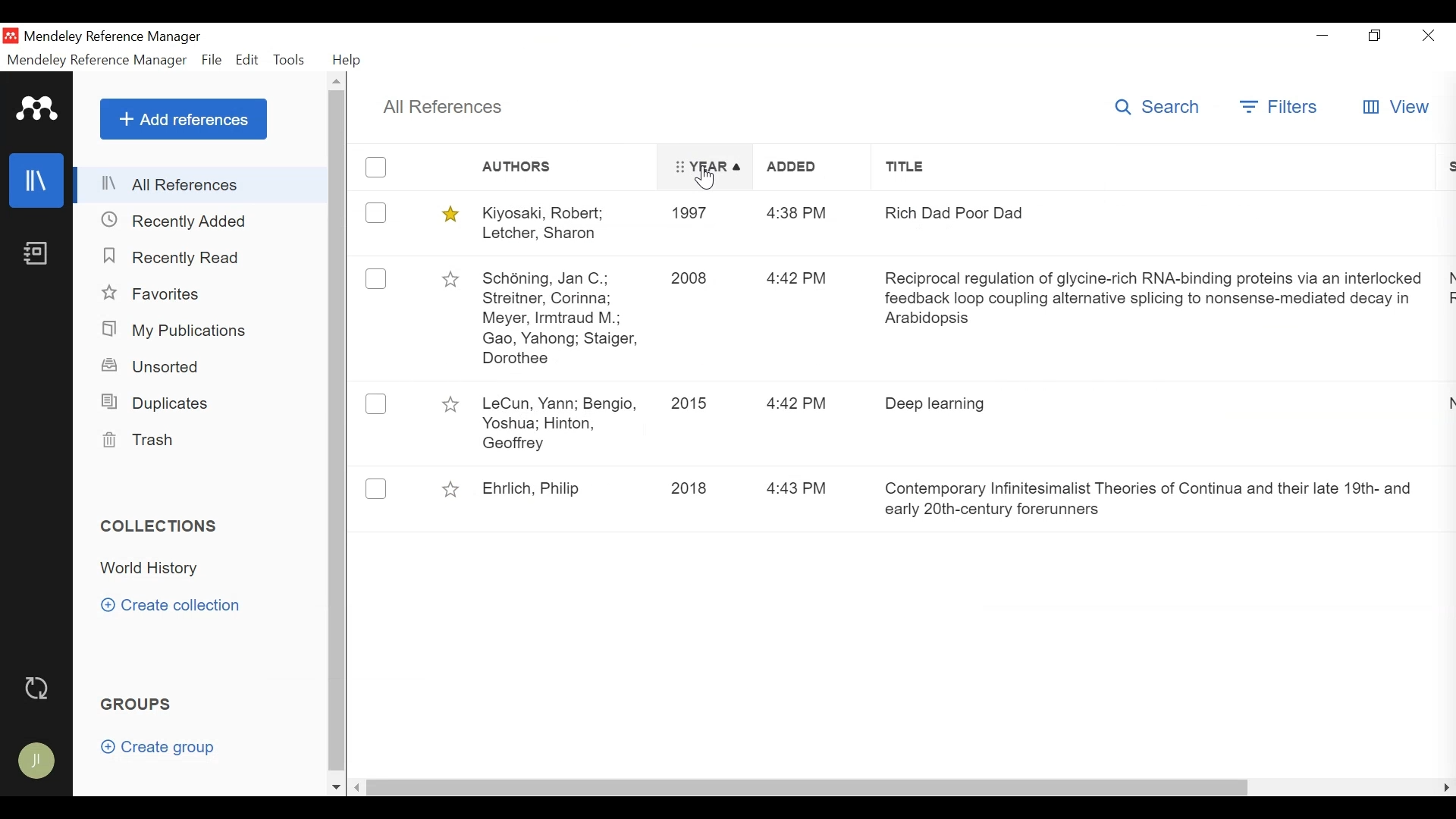 The image size is (1456, 819). I want to click on Schoning, Jan C; Streitner, Corinna; Meyer, Irmtraud M; Gao, Yahong, Staiger, Dorothee, so click(560, 316).